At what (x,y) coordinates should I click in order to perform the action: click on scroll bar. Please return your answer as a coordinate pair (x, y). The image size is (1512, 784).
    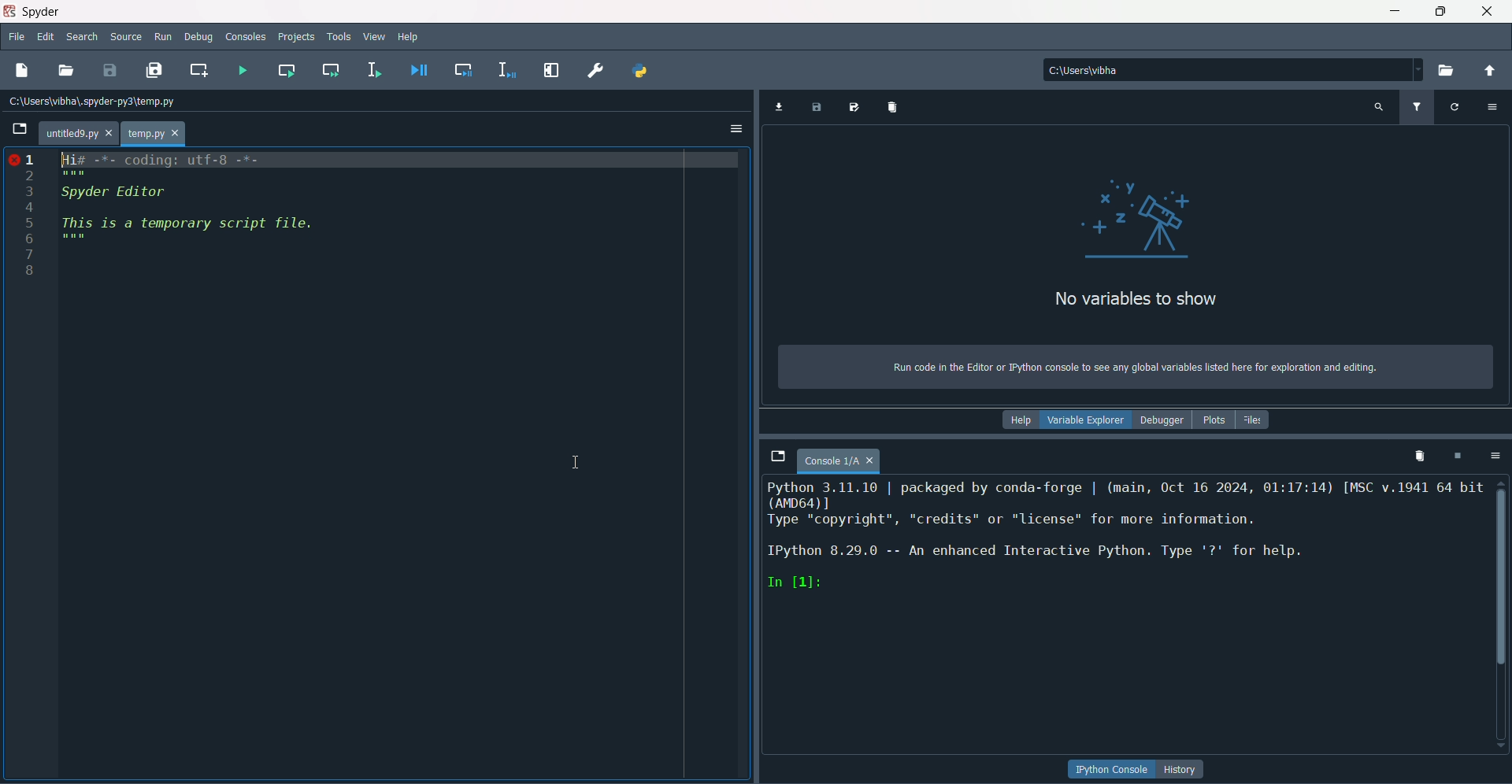
    Looking at the image, I should click on (1503, 573).